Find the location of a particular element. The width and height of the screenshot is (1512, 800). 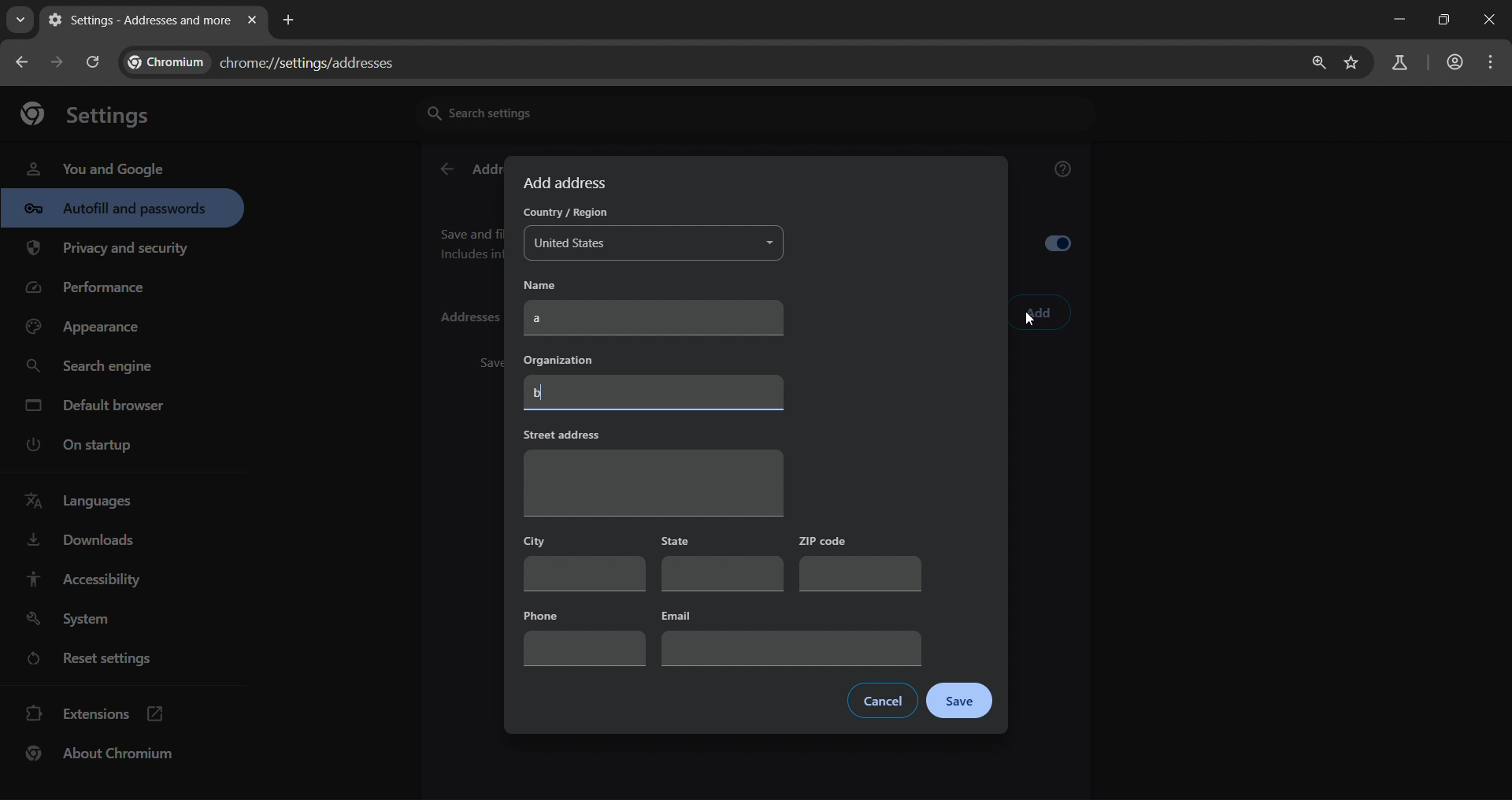

go back one page is located at coordinates (60, 61).